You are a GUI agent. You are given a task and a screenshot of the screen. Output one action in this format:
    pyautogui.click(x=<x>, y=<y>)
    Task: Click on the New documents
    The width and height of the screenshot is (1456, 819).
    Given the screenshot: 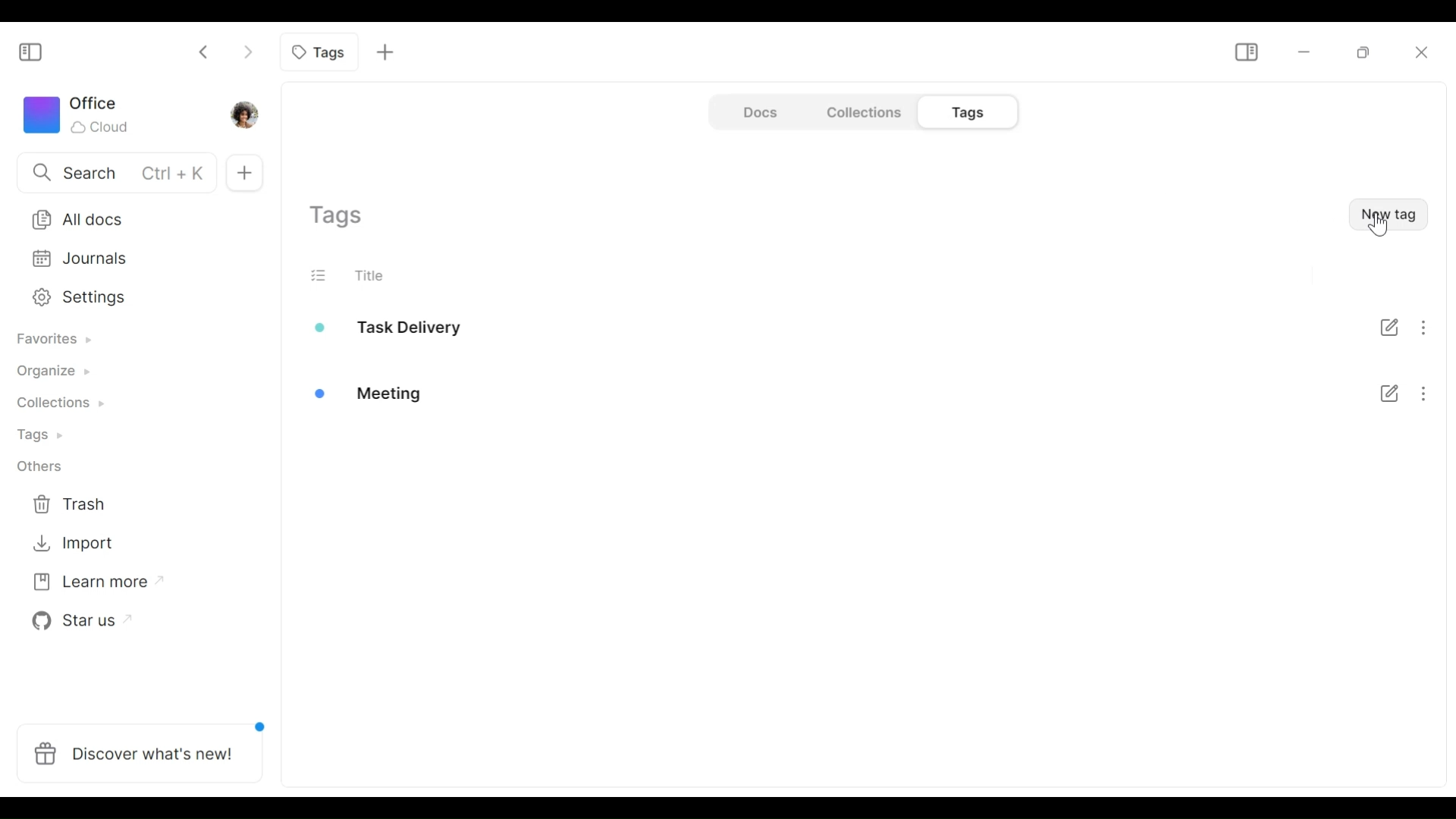 What is the action you would take?
    pyautogui.click(x=243, y=168)
    